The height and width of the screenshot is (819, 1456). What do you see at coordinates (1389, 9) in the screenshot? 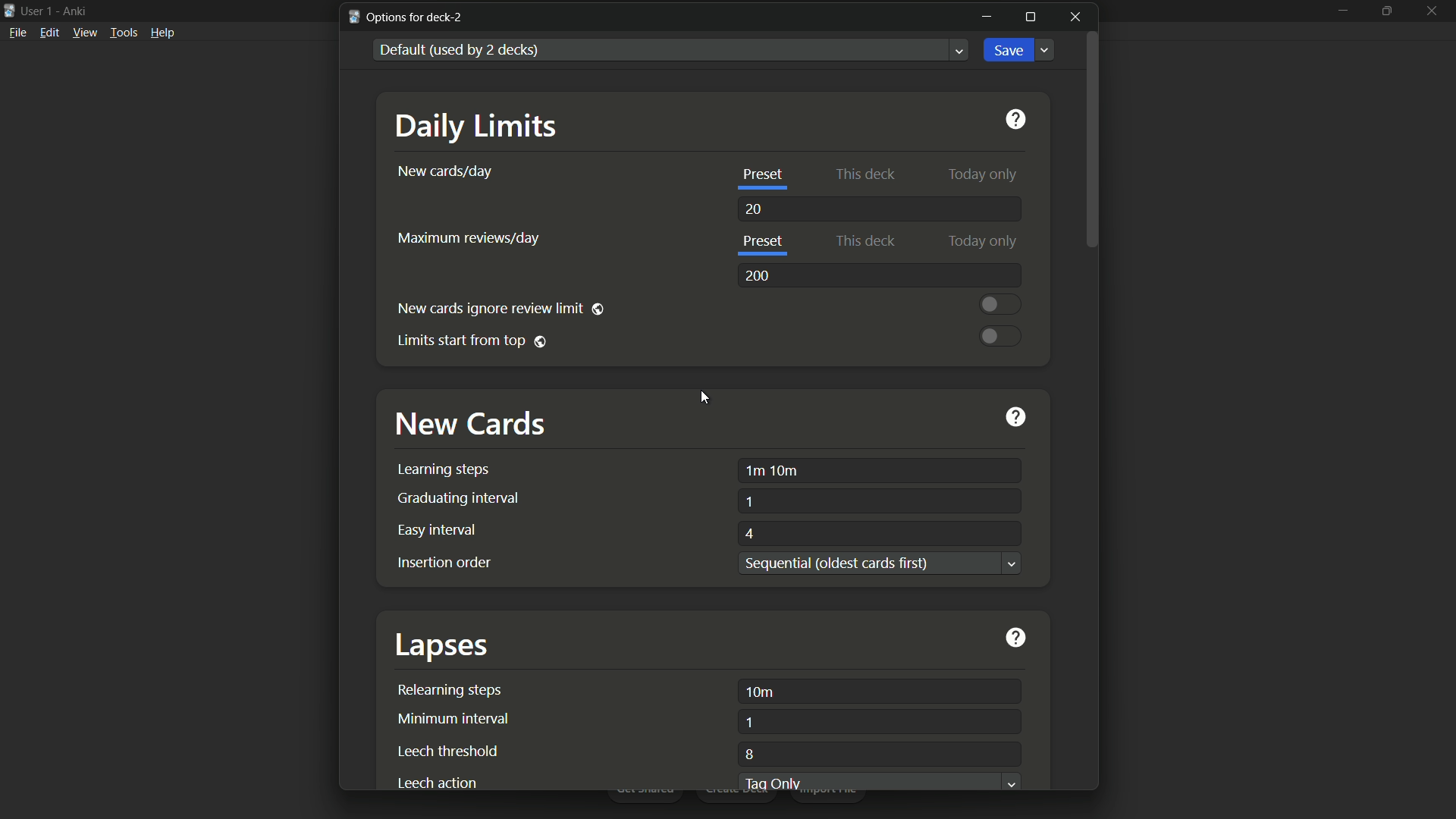
I see `maximize` at bounding box center [1389, 9].